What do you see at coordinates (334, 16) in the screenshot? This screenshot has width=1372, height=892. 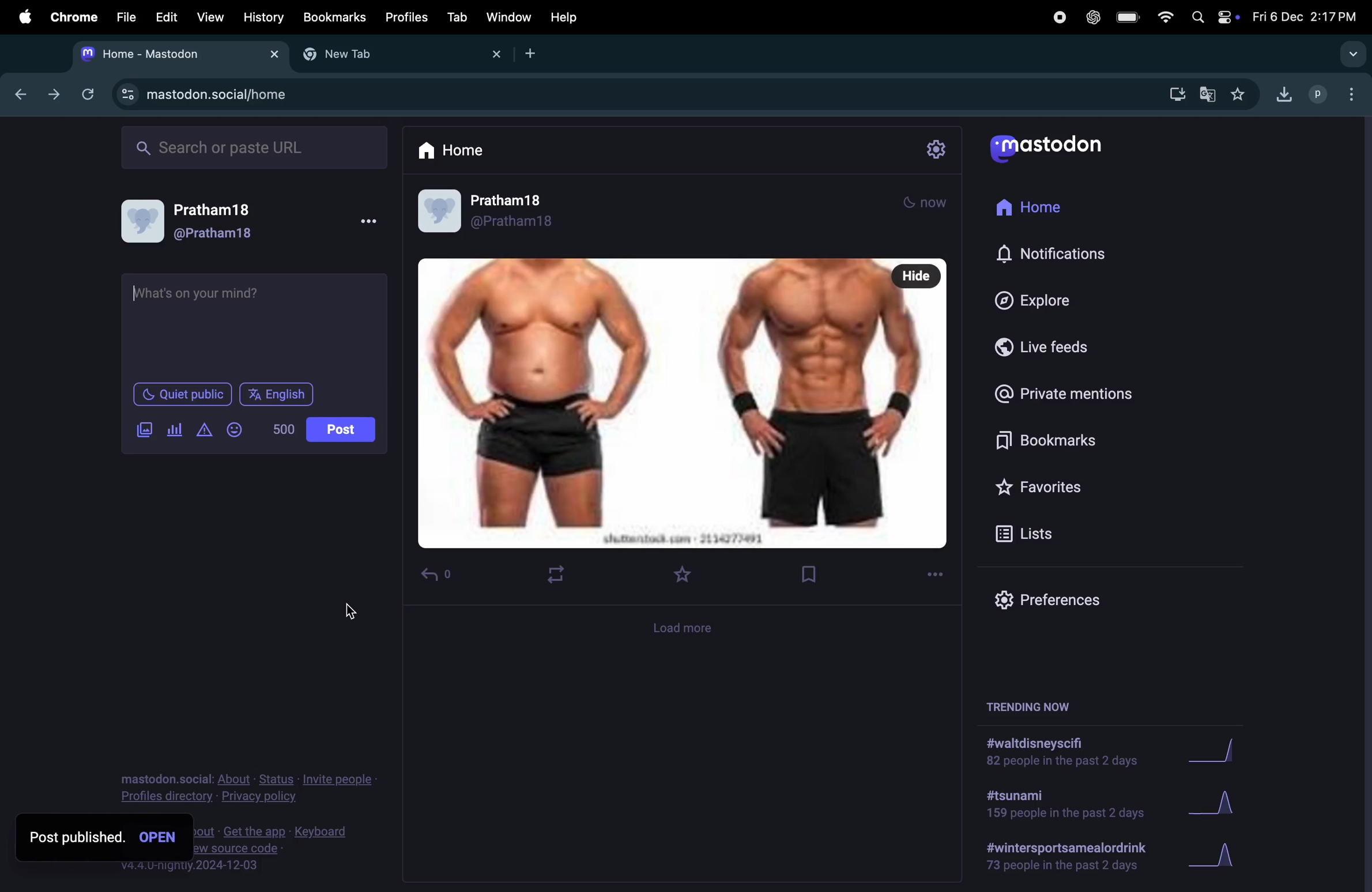 I see `Bookmarks` at bounding box center [334, 16].